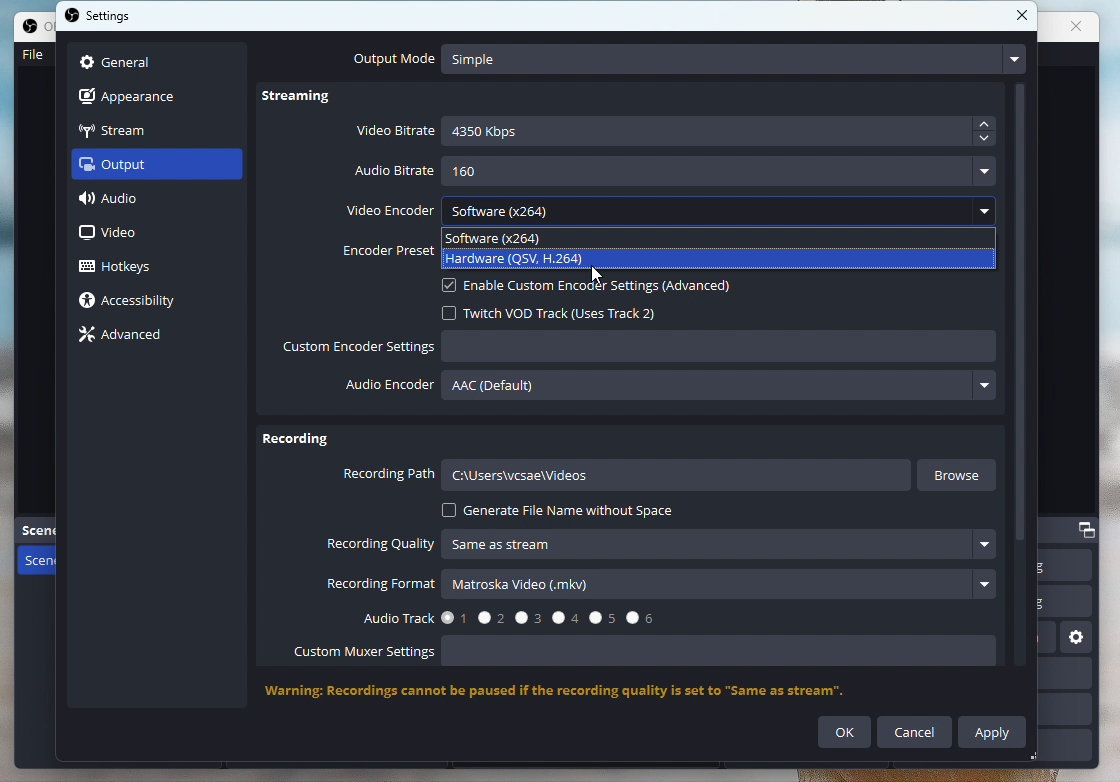 The image size is (1120, 782). Describe the element at coordinates (641, 349) in the screenshot. I see `Custom encoder Settings` at that location.